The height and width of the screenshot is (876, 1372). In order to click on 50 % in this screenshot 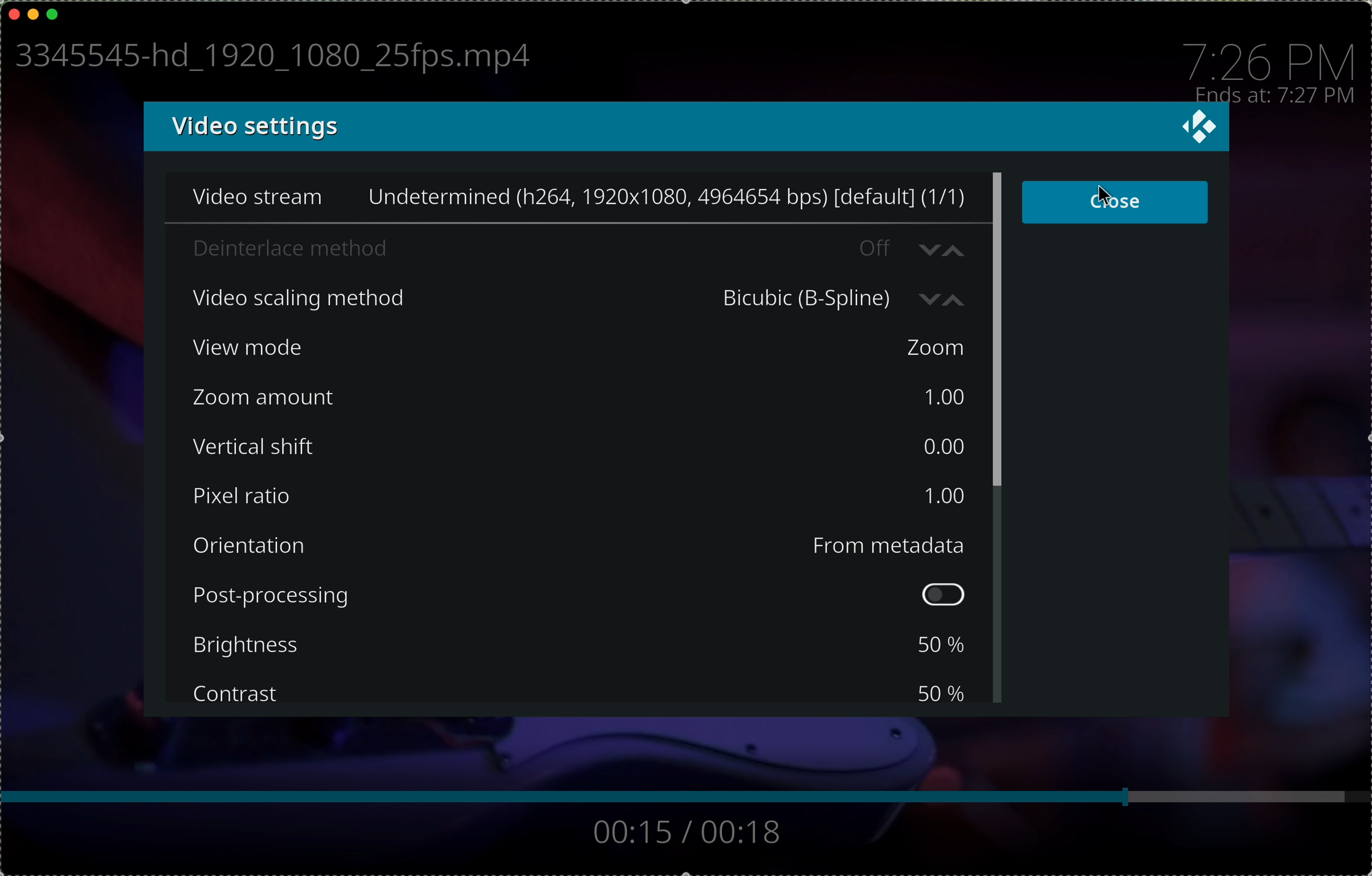, I will do `click(937, 689)`.